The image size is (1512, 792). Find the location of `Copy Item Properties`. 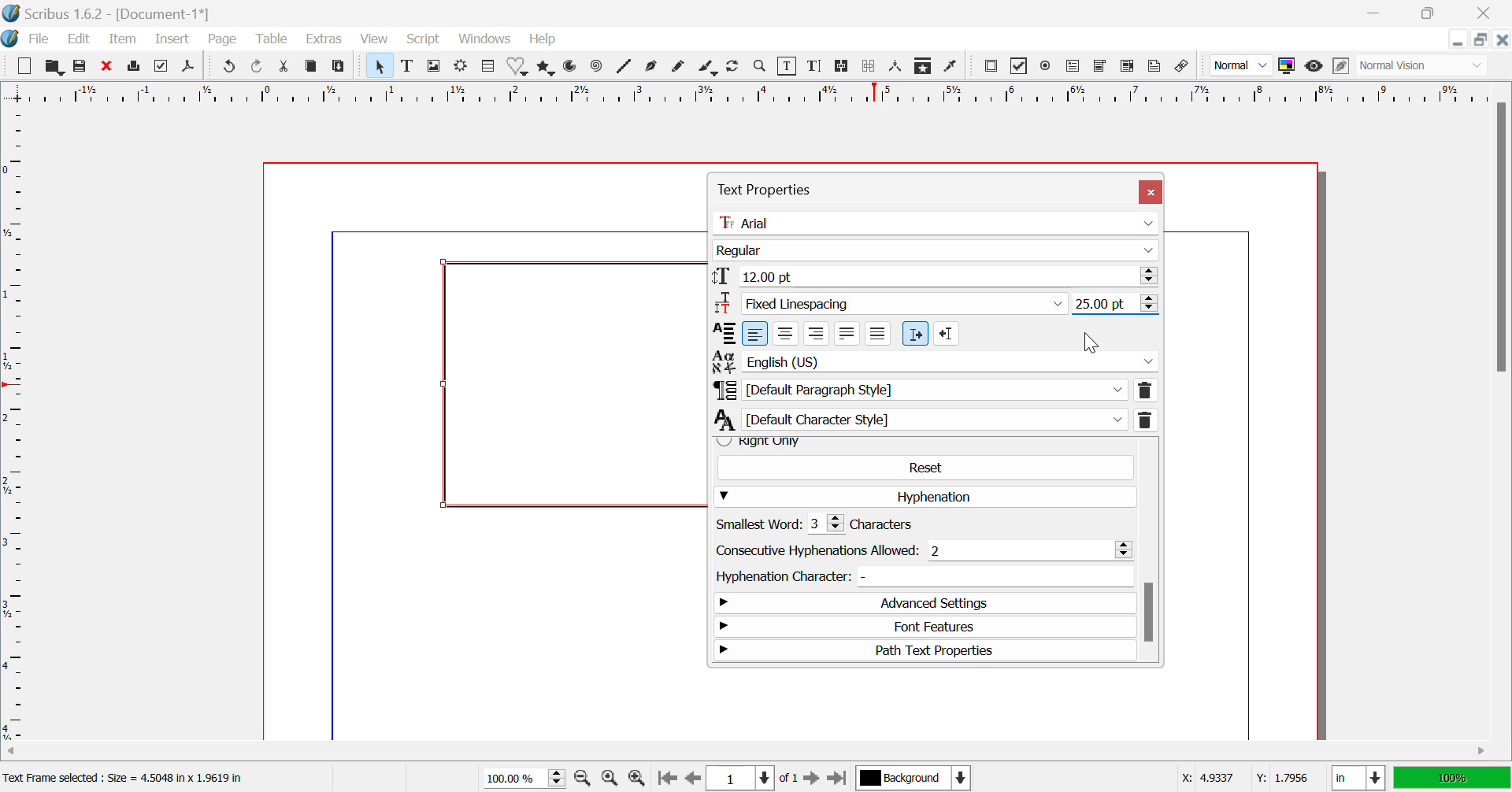

Copy Item Properties is located at coordinates (925, 67).